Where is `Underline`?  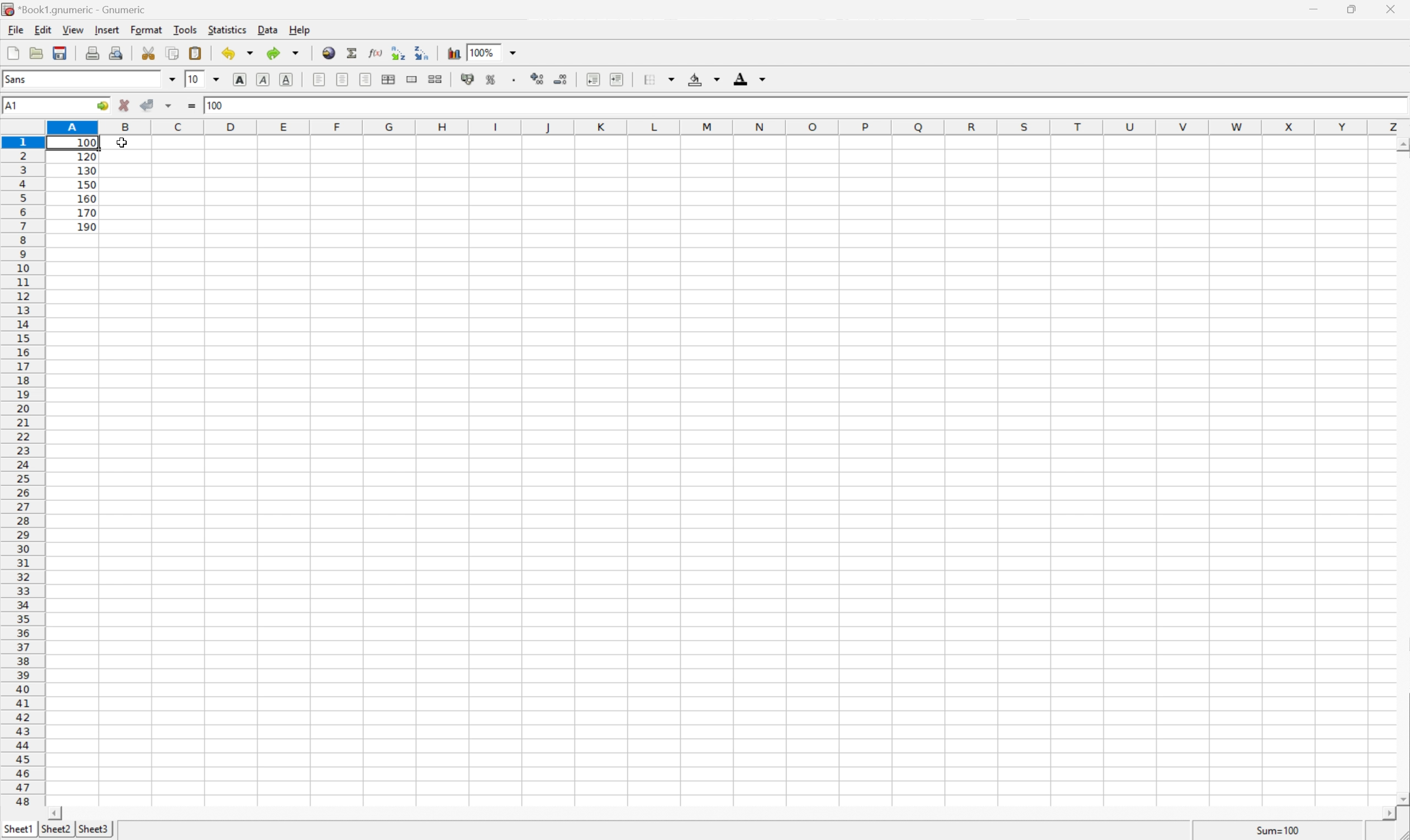
Underline is located at coordinates (287, 80).